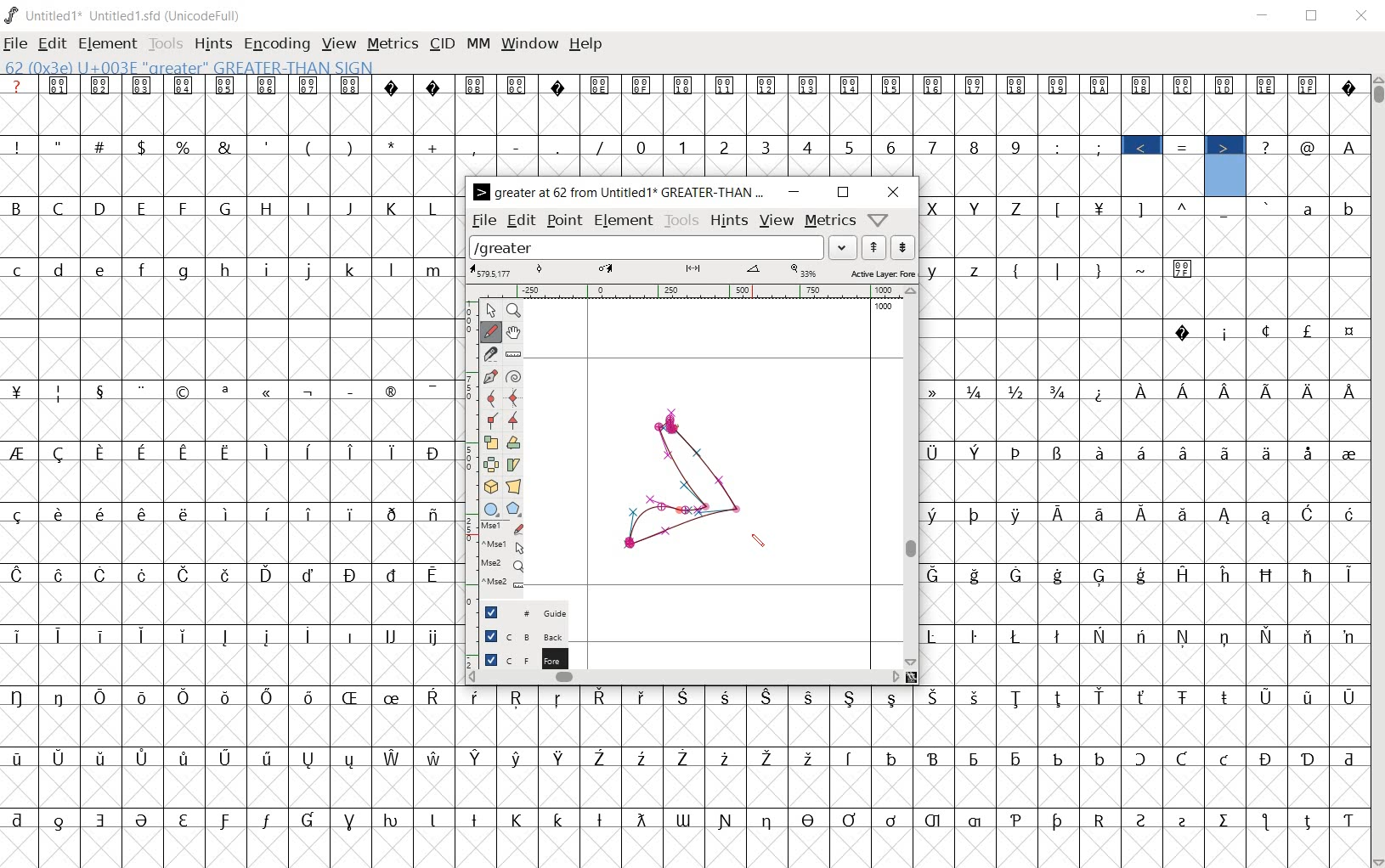 This screenshot has height=868, width=1385. Describe the element at coordinates (1309, 133) in the screenshot. I see `glyps` at that location.